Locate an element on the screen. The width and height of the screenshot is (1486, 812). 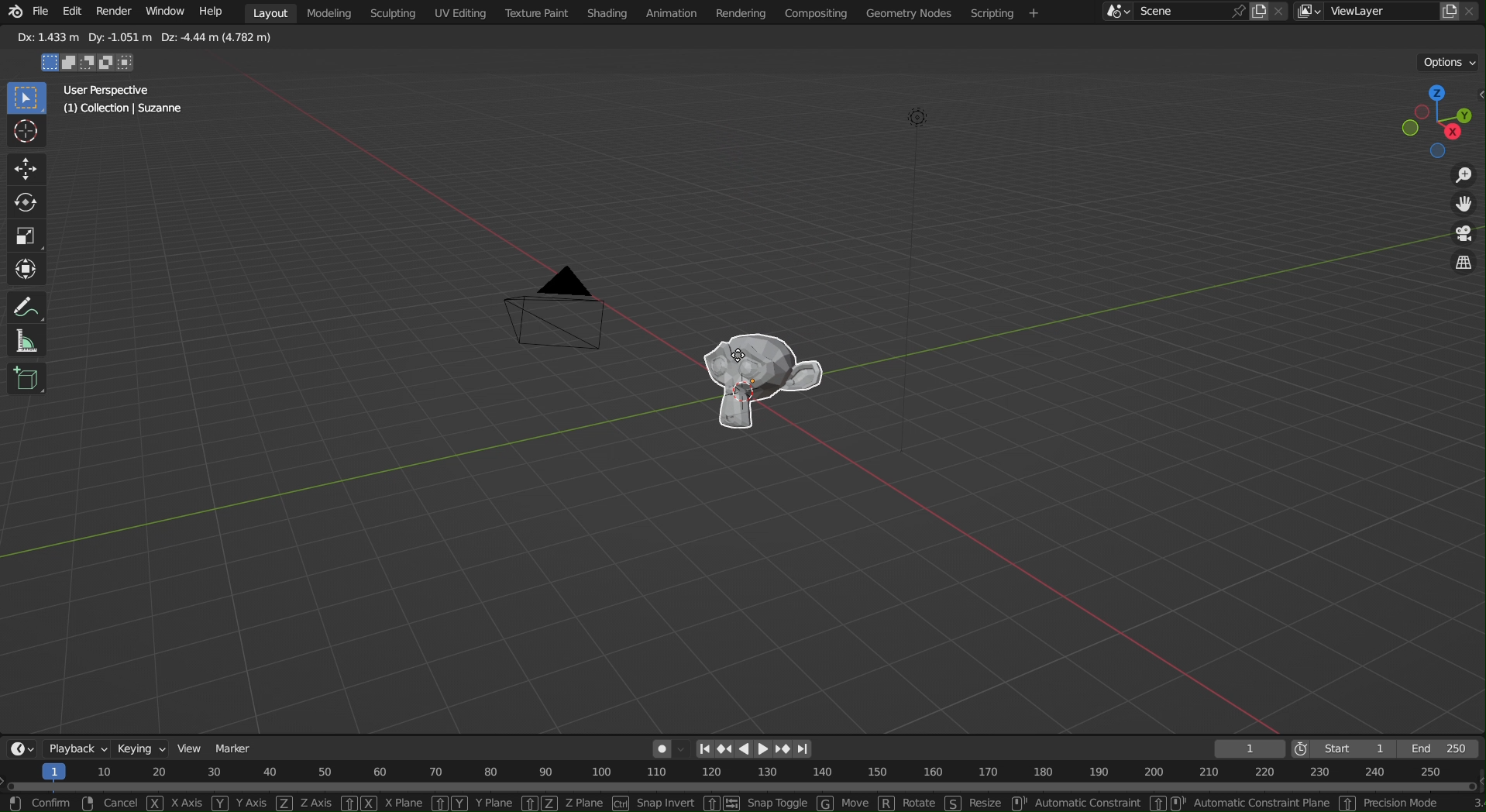
Scene is located at coordinates (1158, 13).